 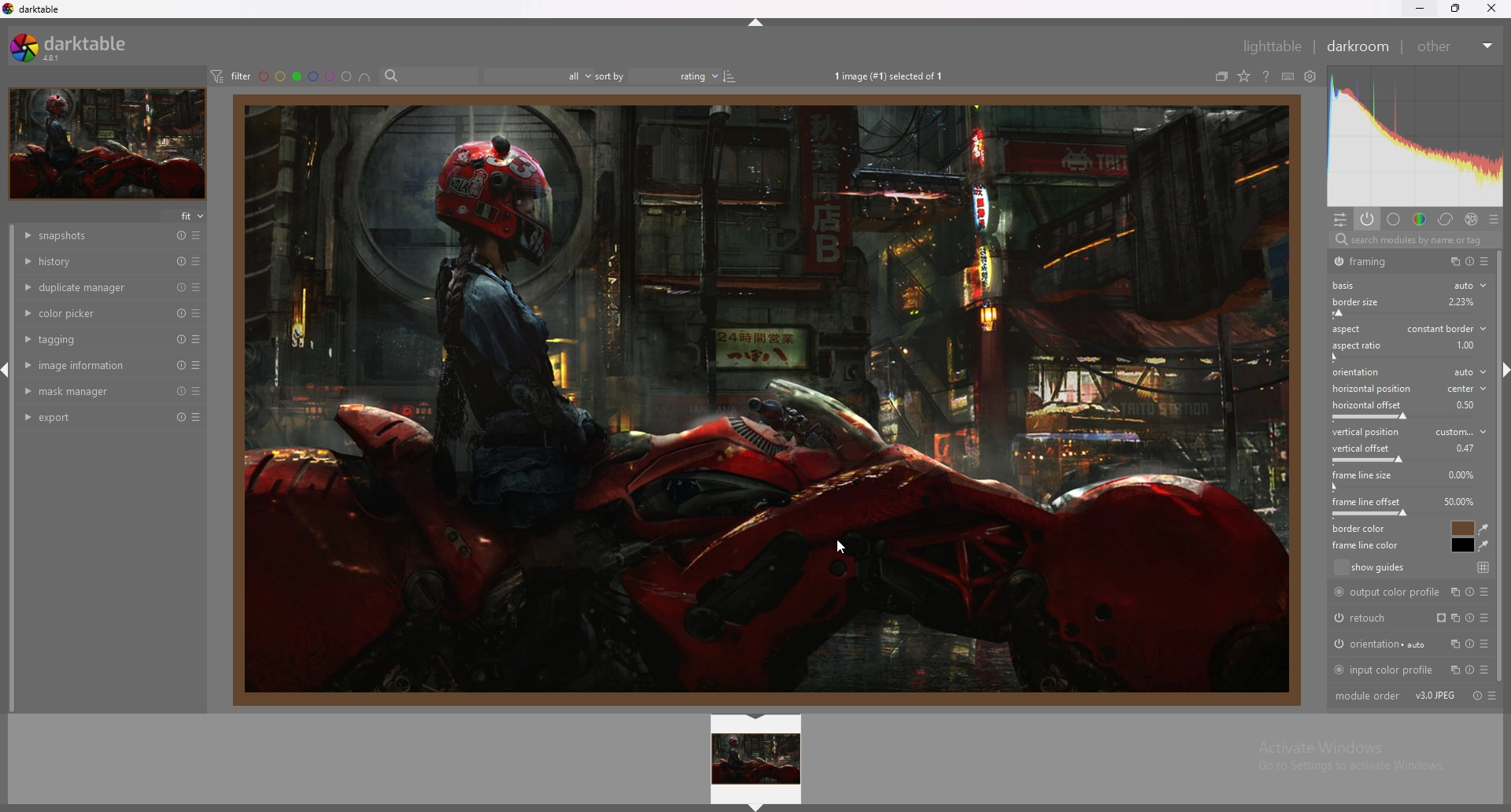 I want to click on reset, so click(x=182, y=366).